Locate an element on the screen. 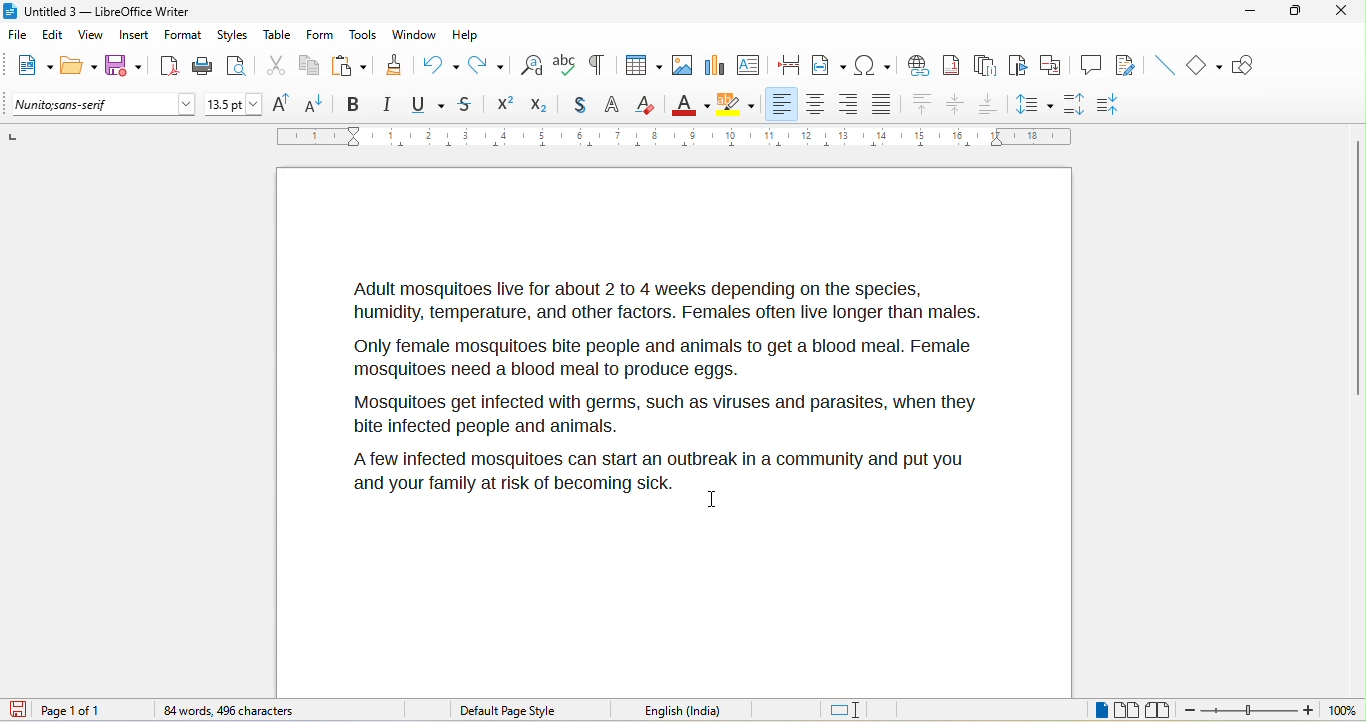 This screenshot has height=722, width=1366. align right is located at coordinates (847, 105).